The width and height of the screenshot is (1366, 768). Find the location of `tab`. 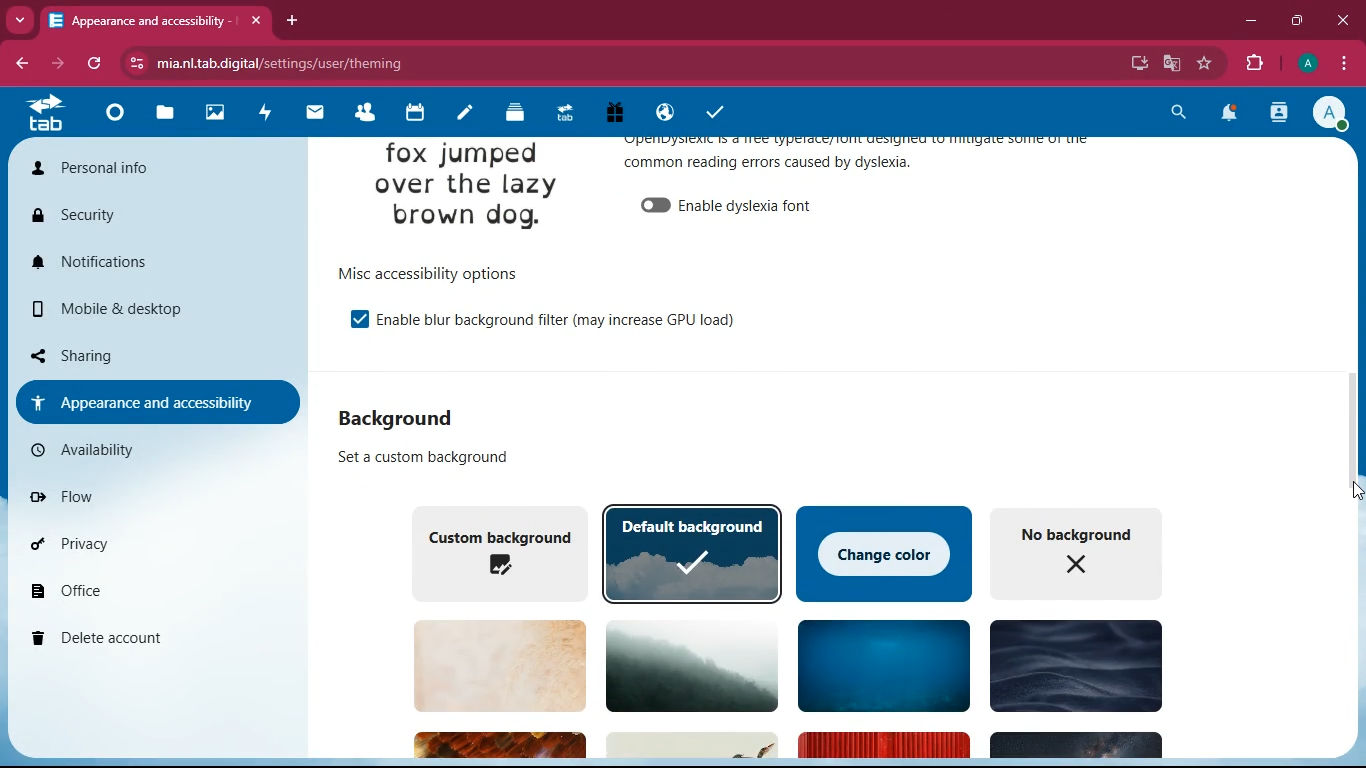

tab is located at coordinates (561, 116).